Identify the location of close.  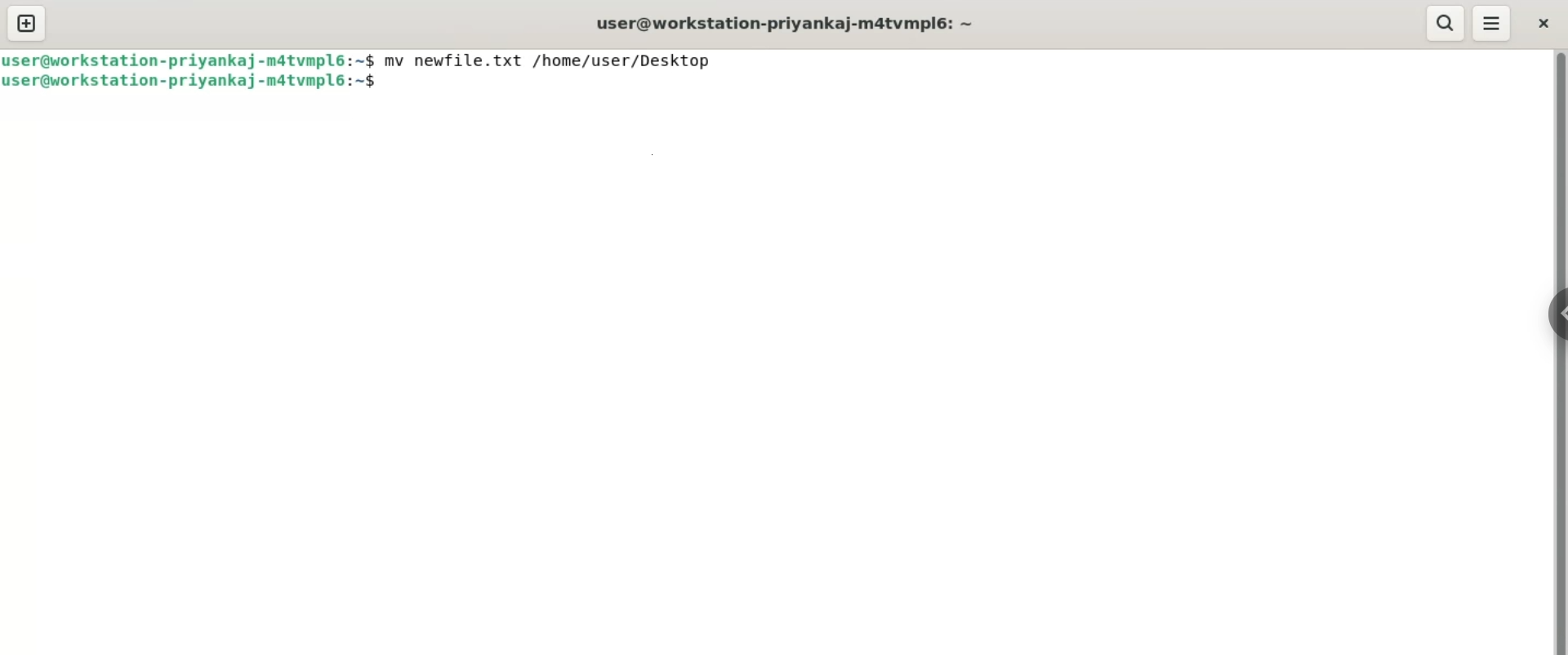
(1543, 26).